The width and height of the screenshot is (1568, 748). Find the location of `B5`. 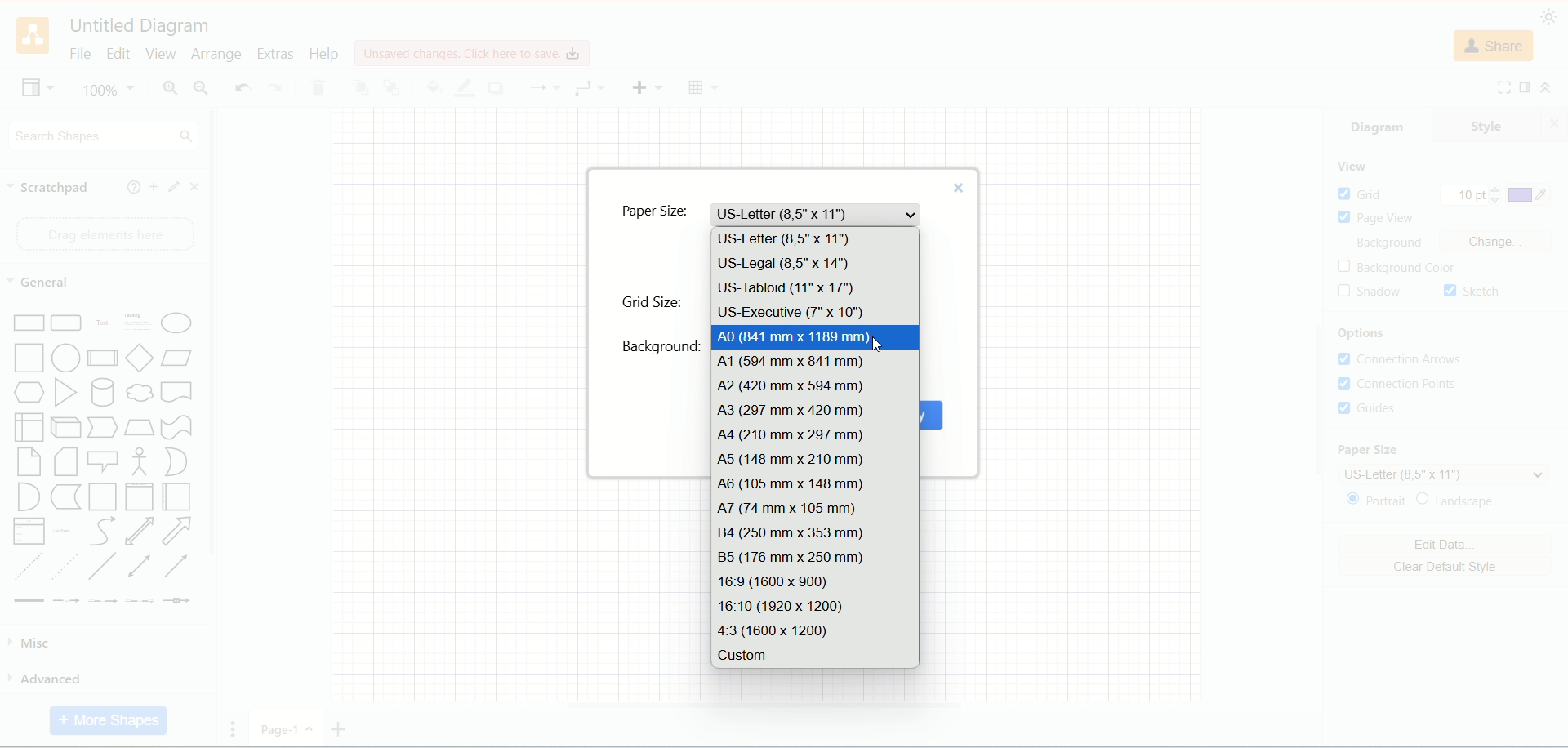

B5 is located at coordinates (818, 557).